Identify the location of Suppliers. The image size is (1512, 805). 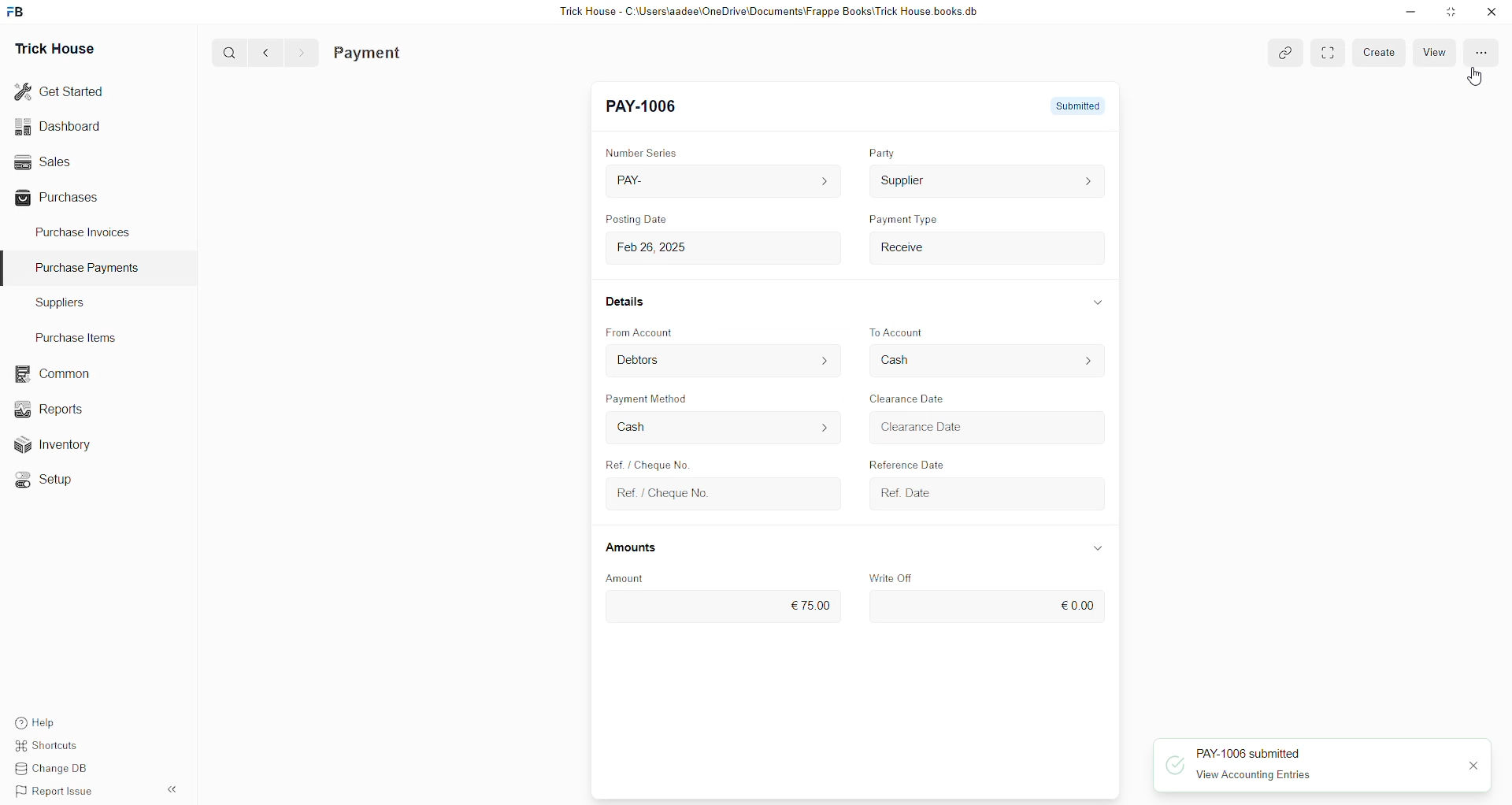
(77, 304).